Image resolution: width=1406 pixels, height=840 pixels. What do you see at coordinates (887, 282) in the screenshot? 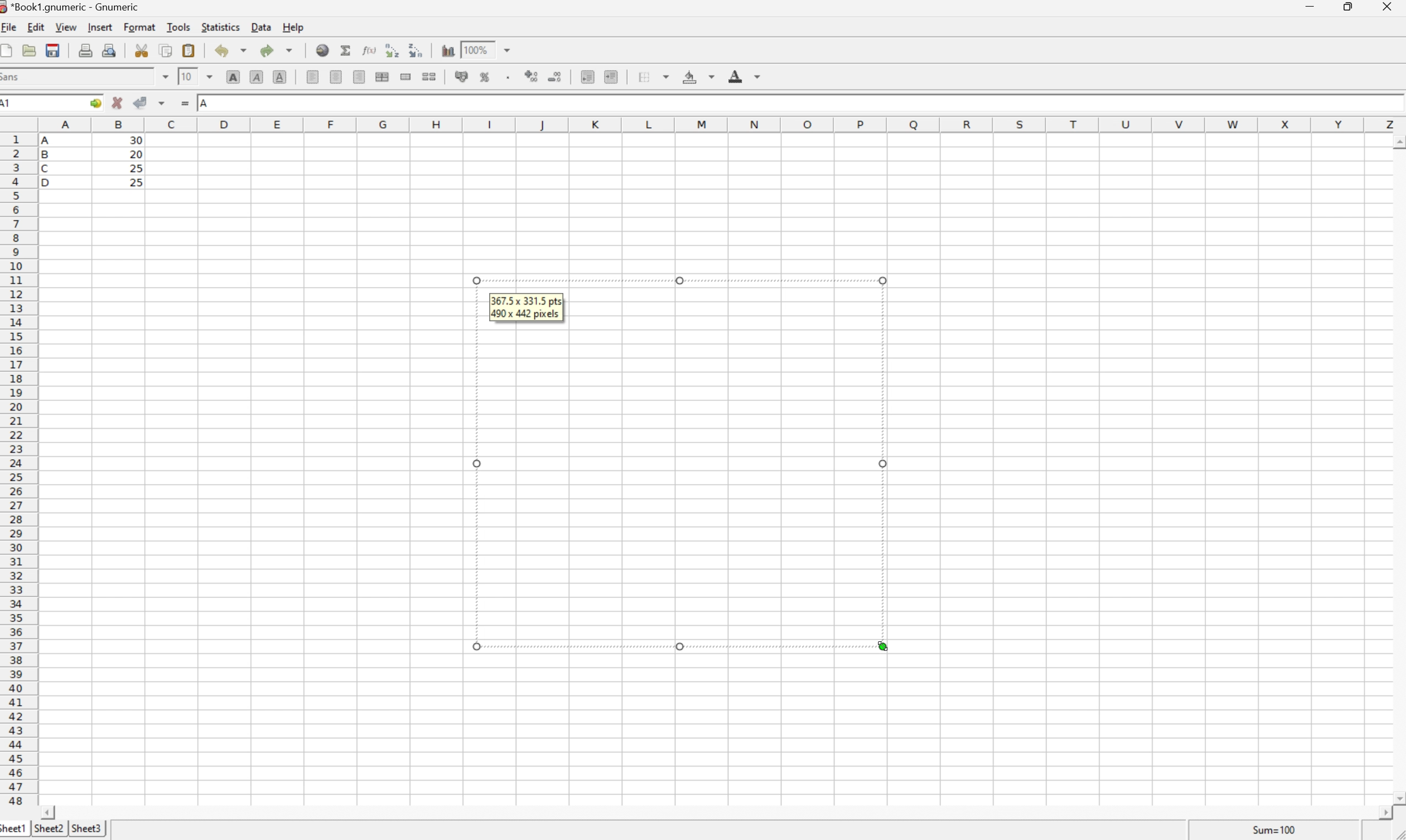
I see `` at bounding box center [887, 282].